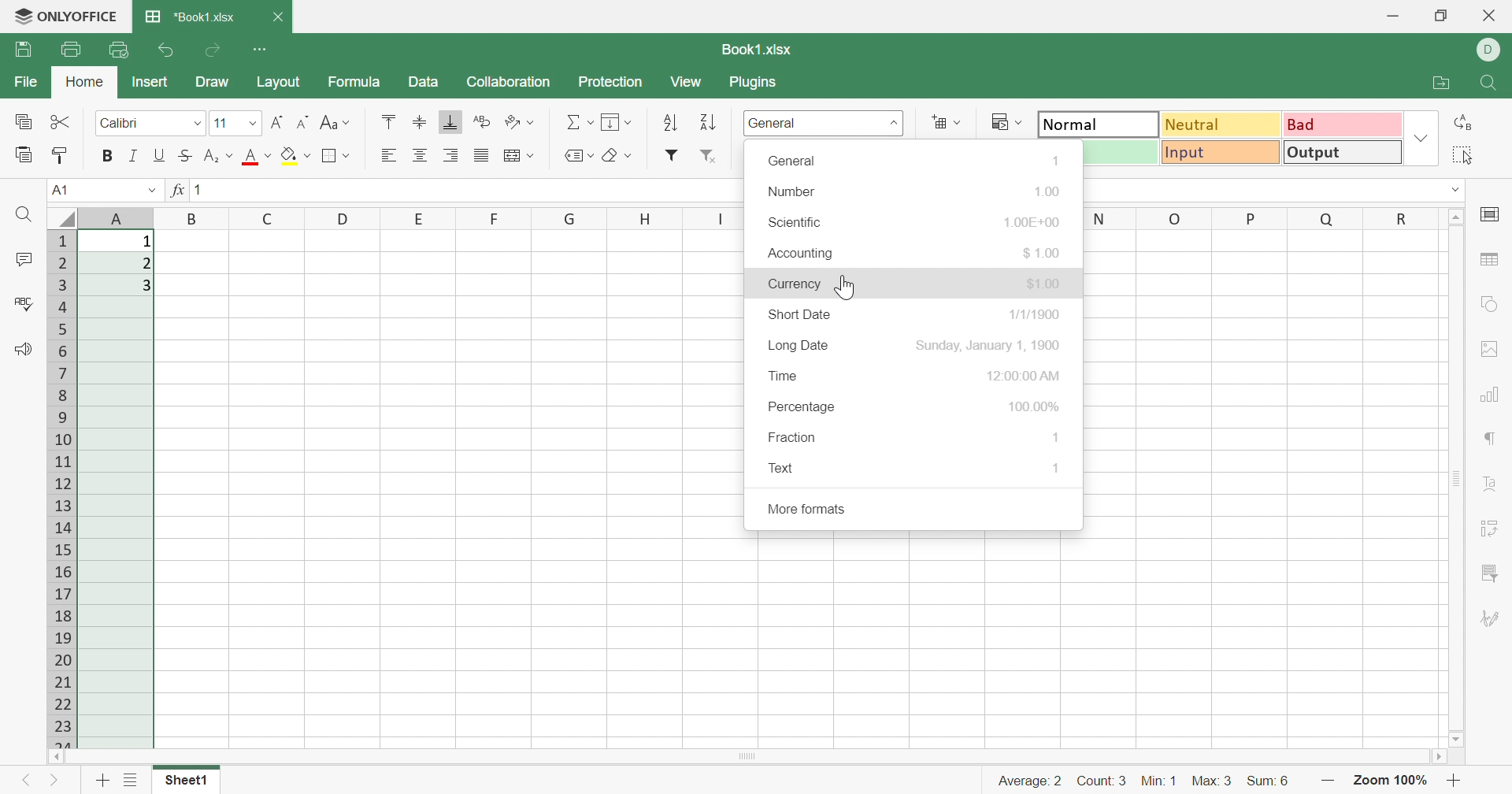 This screenshot has height=794, width=1512. I want to click on Scroll bar, so click(1456, 478).